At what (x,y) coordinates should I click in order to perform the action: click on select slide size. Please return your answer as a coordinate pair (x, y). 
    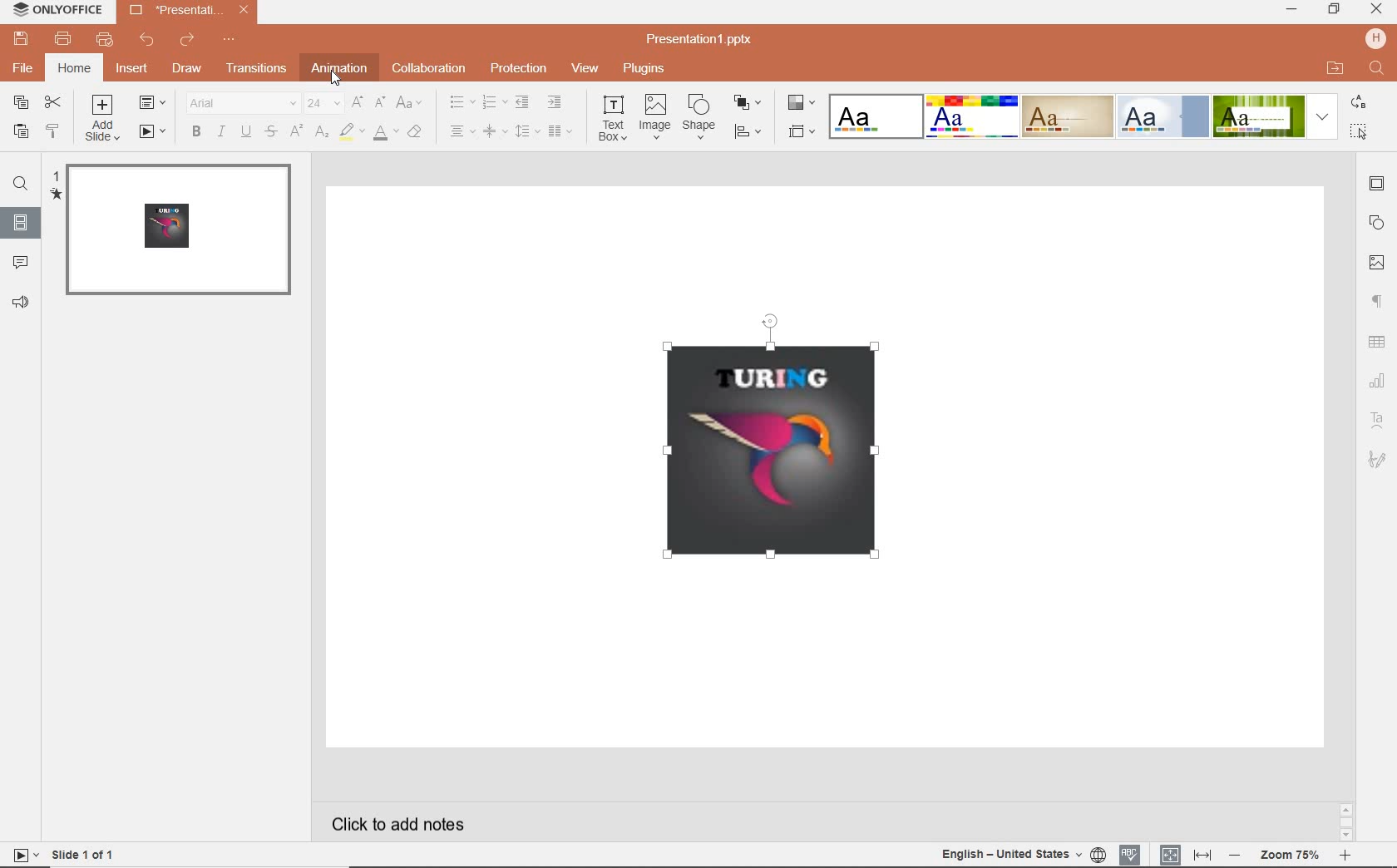
    Looking at the image, I should click on (802, 132).